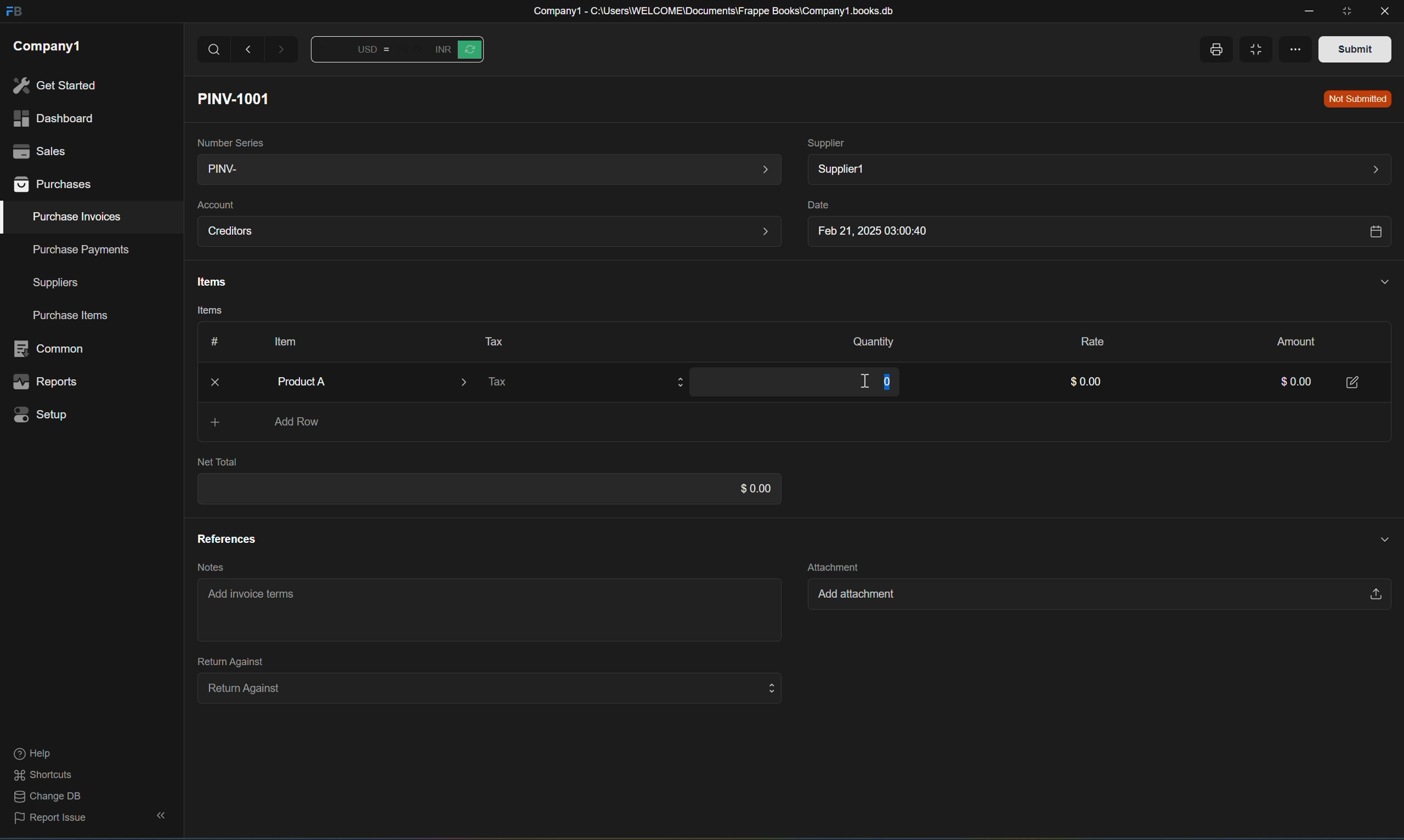 The width and height of the screenshot is (1404, 840). What do you see at coordinates (238, 98) in the screenshot?
I see `PINV-1001` at bounding box center [238, 98].